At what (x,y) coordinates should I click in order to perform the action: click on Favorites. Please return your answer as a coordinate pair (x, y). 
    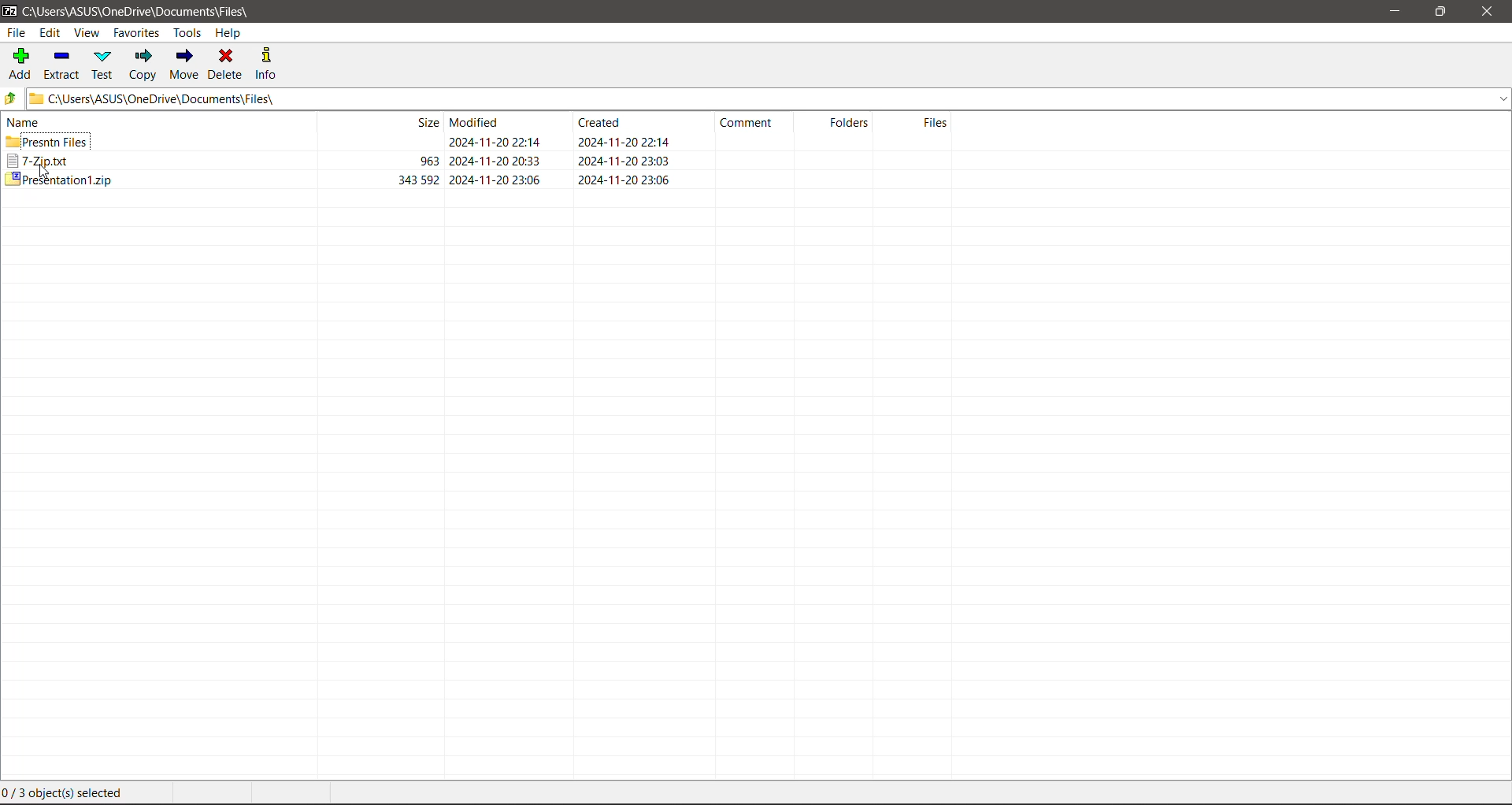
    Looking at the image, I should click on (135, 32).